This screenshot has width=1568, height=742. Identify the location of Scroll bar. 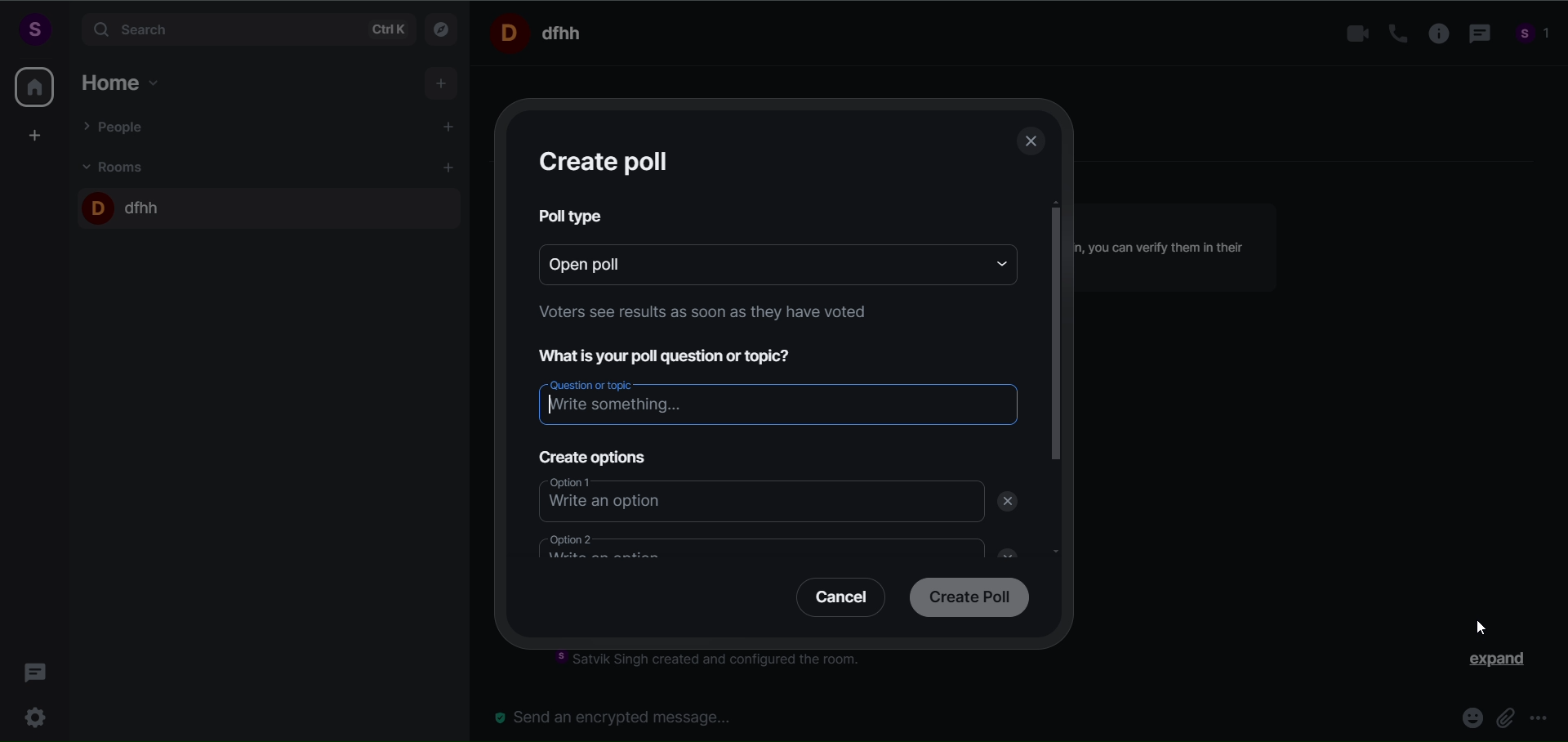
(1057, 413).